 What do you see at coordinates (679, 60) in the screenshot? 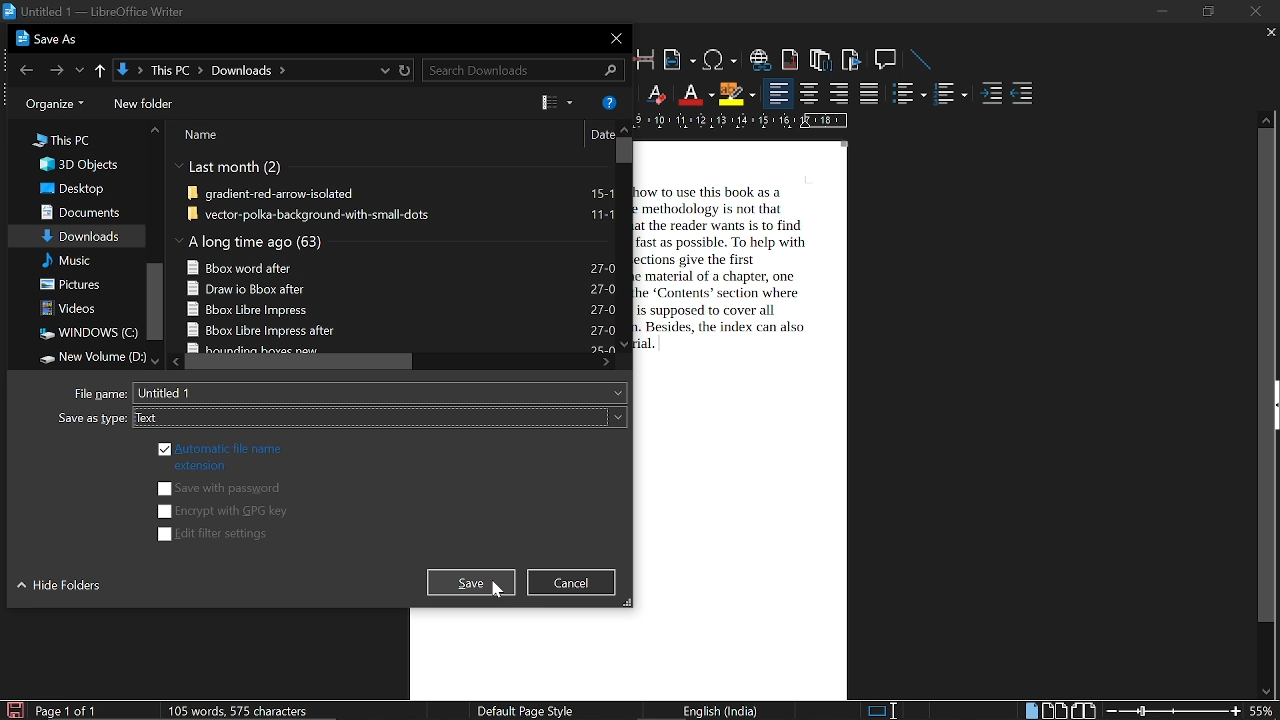
I see `insert field` at bounding box center [679, 60].